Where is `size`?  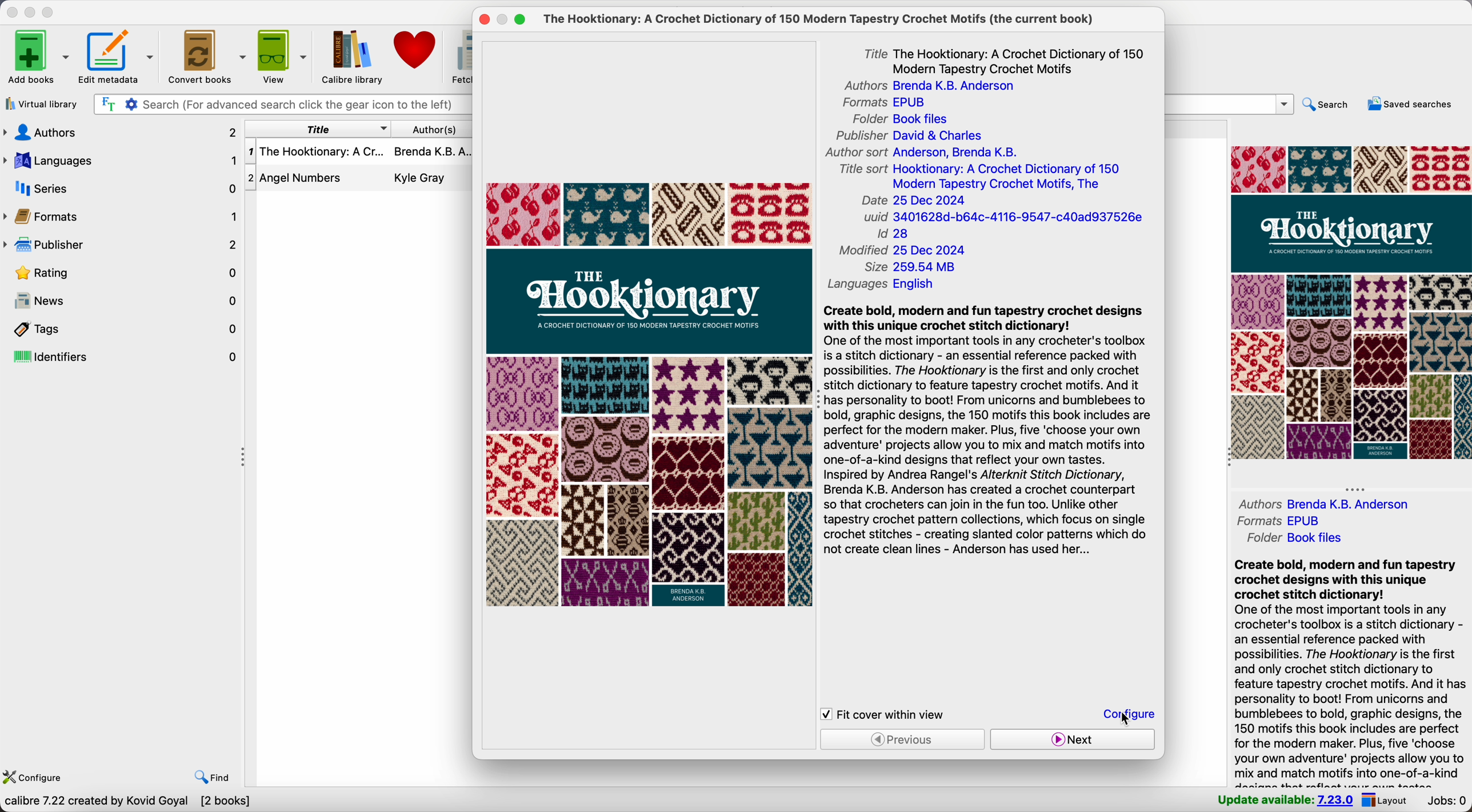
size is located at coordinates (913, 267).